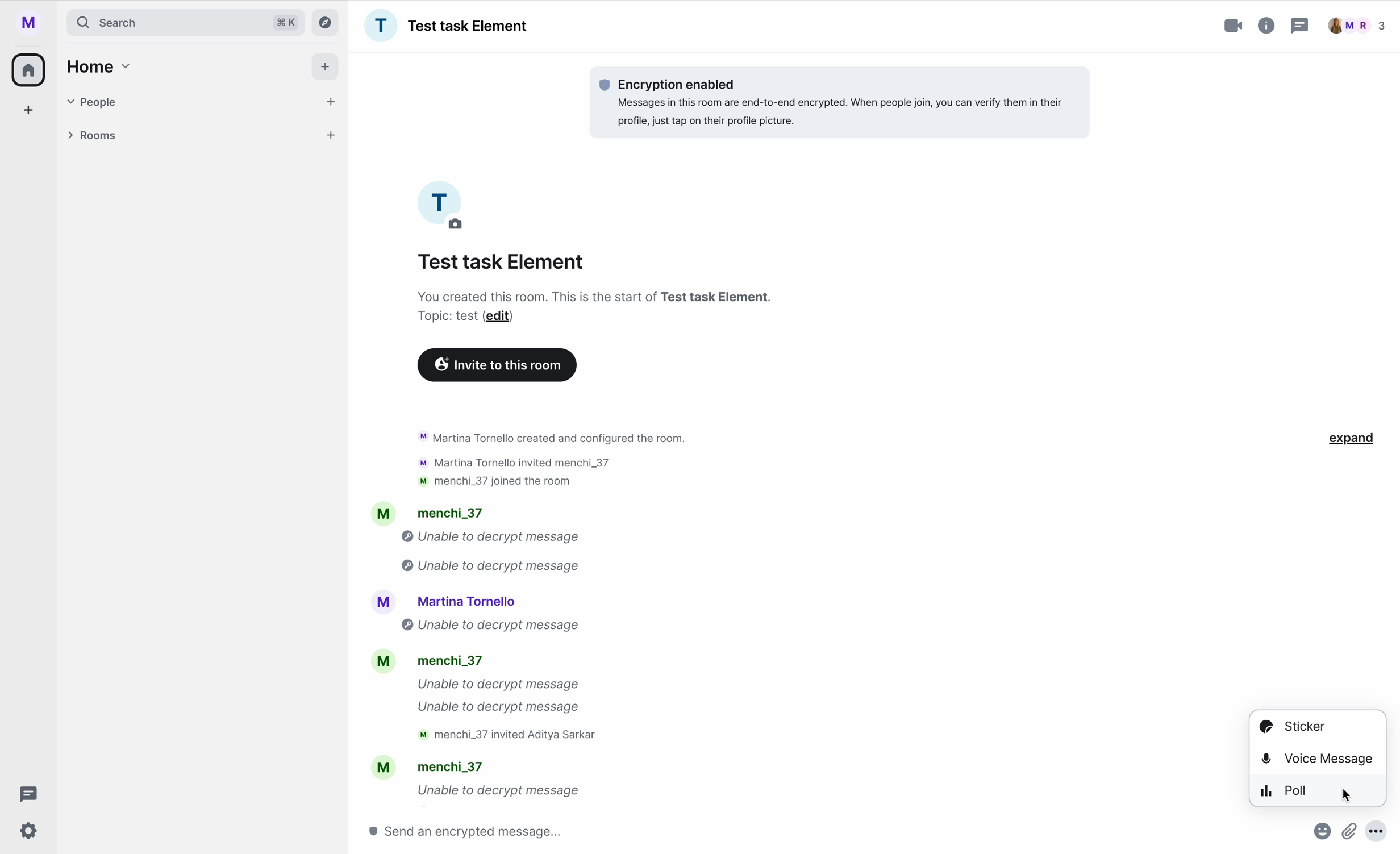  What do you see at coordinates (1319, 836) in the screenshot?
I see `emojis` at bounding box center [1319, 836].